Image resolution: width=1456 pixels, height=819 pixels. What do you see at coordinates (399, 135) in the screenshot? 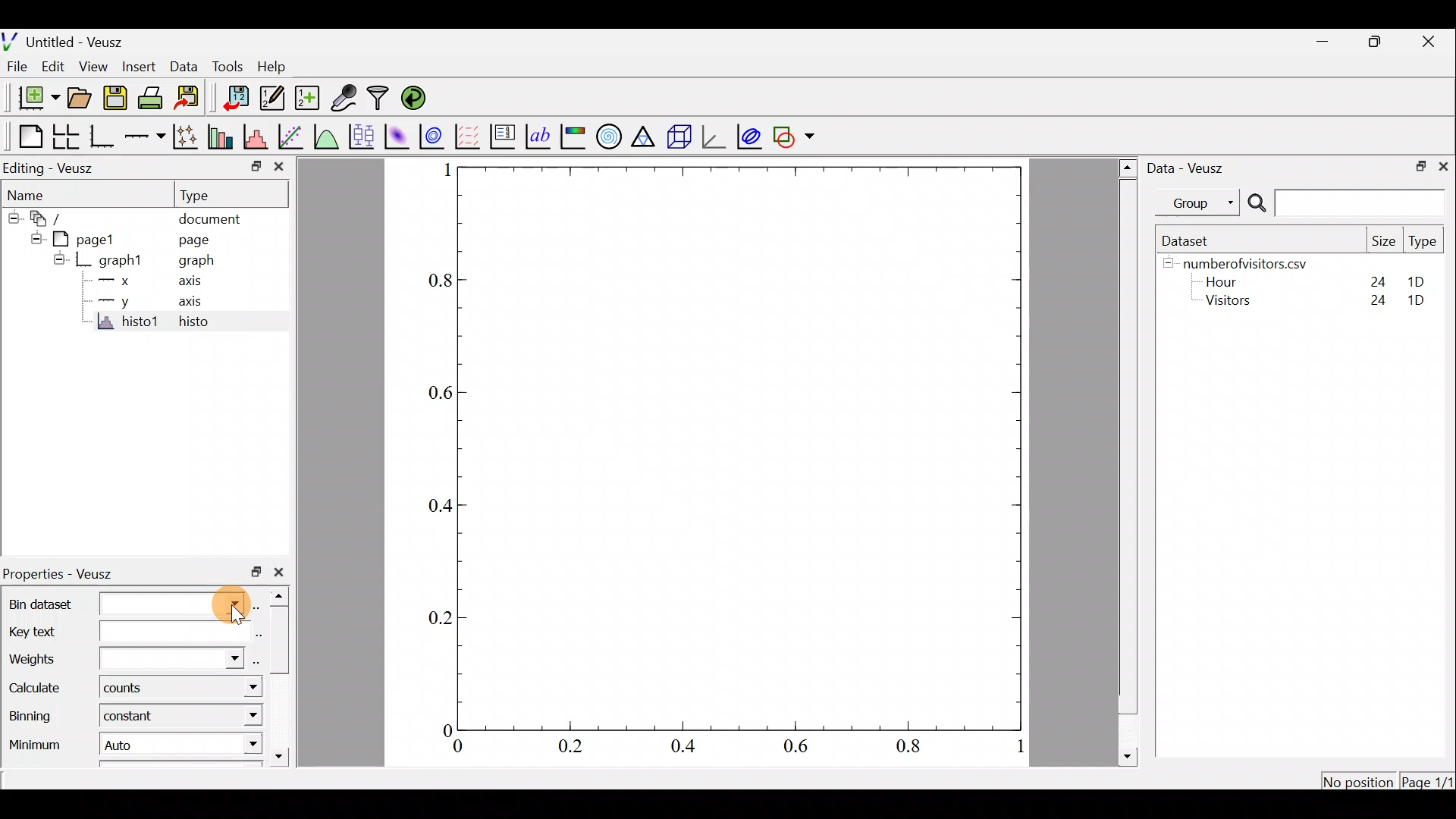
I see `plot a 2d dataset as an image` at bounding box center [399, 135].